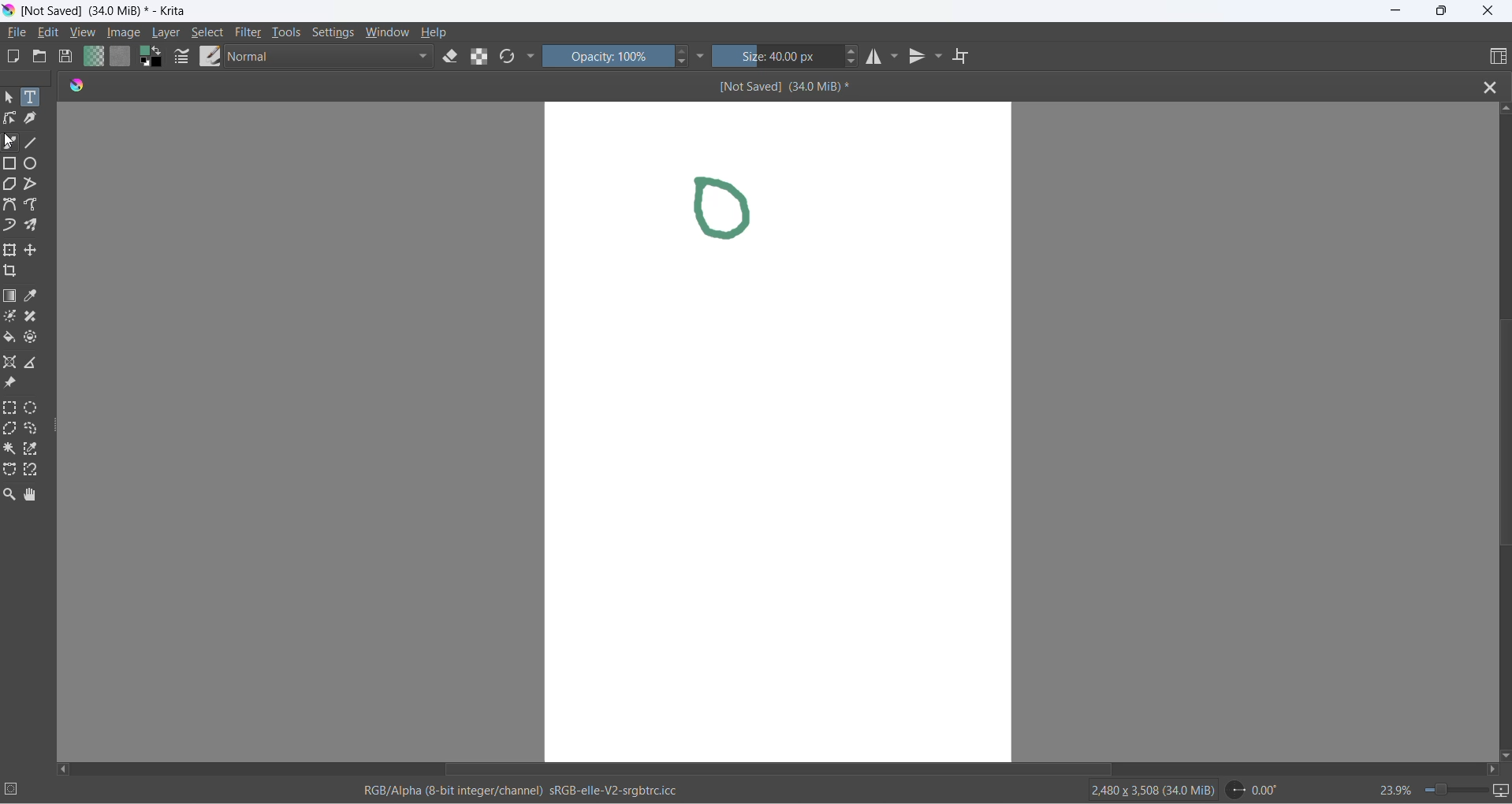  What do you see at coordinates (34, 408) in the screenshot?
I see `elliptical selection tool` at bounding box center [34, 408].